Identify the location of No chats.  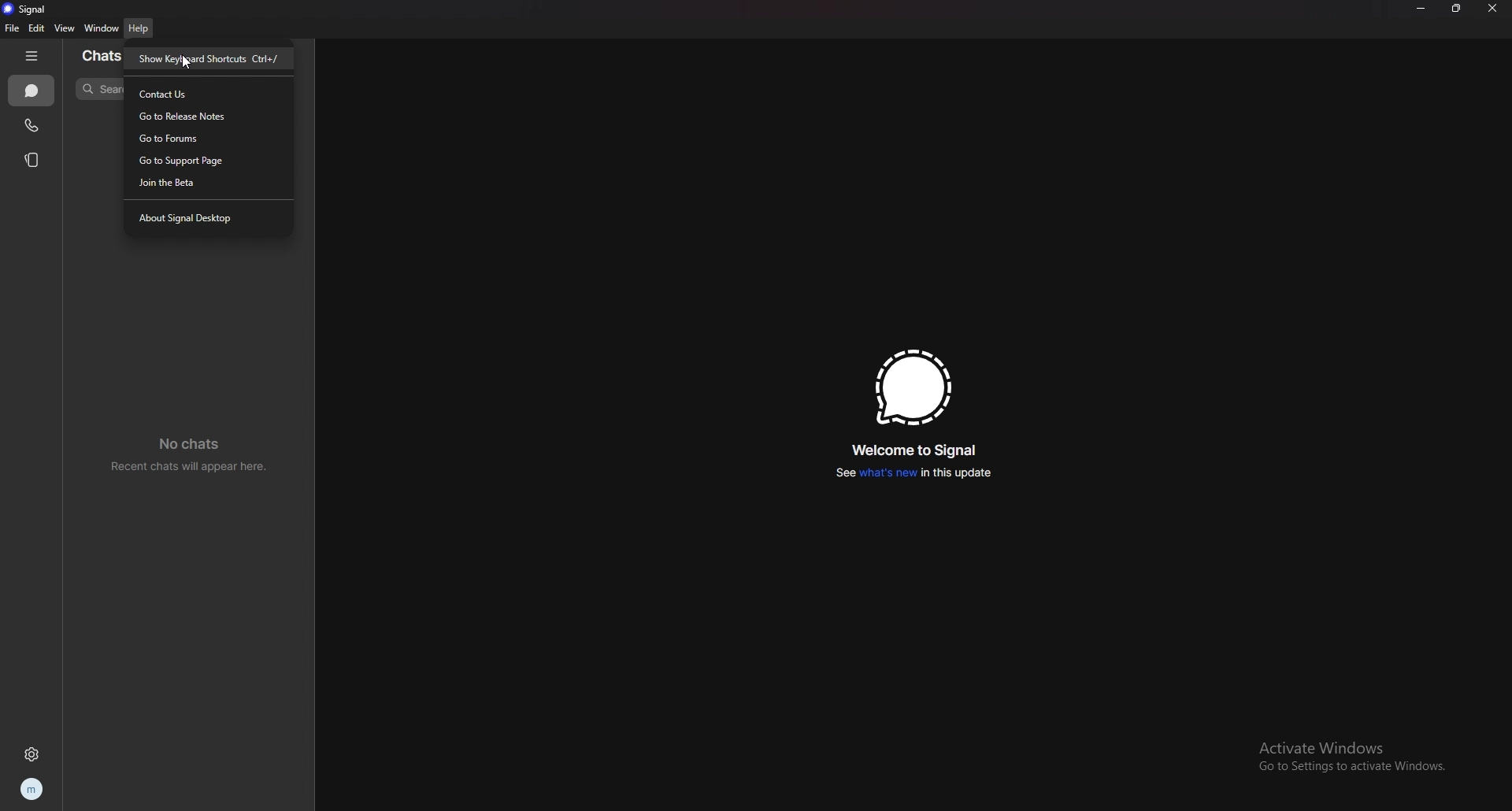
(191, 440).